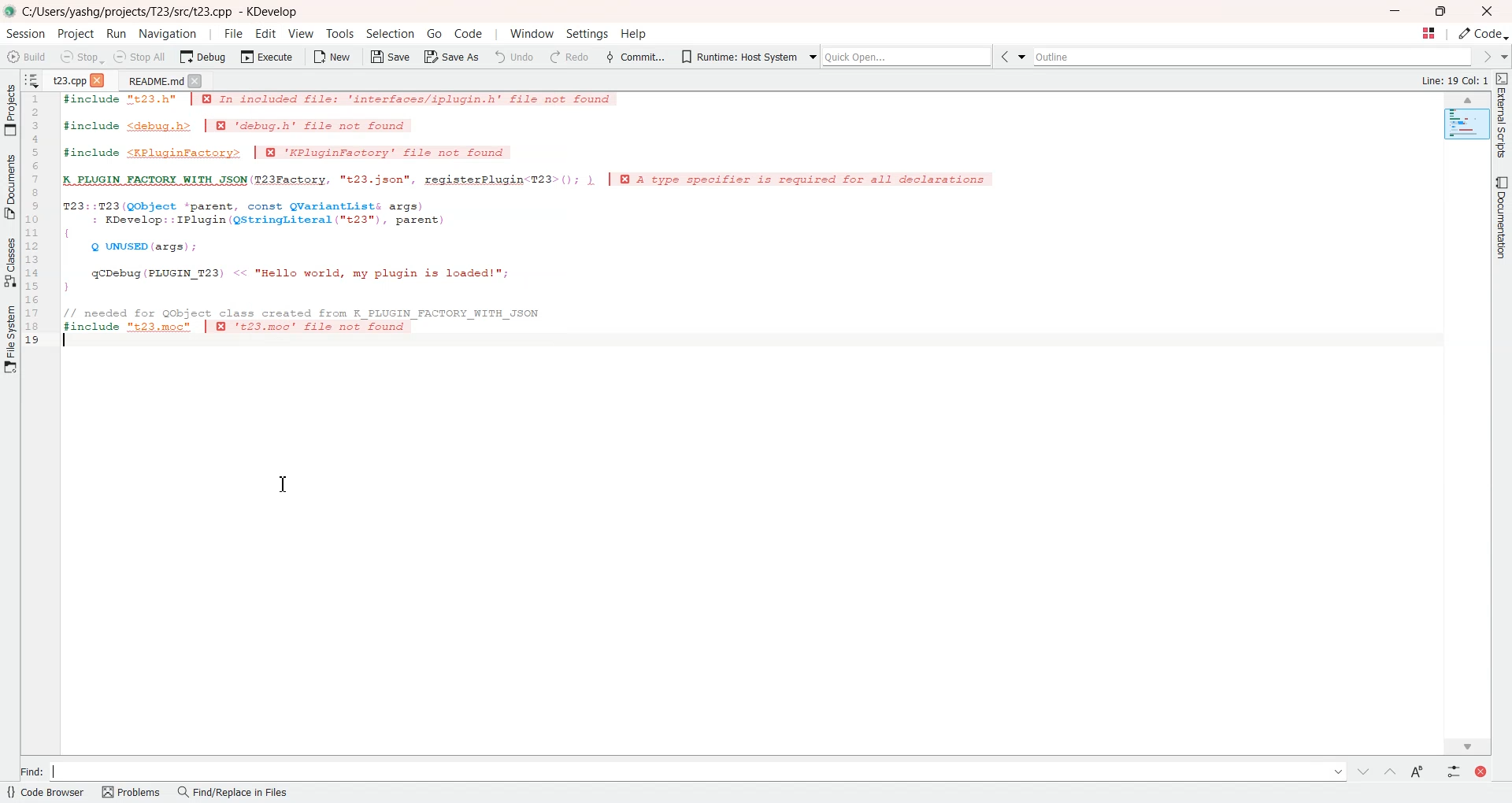 The image size is (1512, 803). What do you see at coordinates (267, 56) in the screenshot?
I see `Execute` at bounding box center [267, 56].